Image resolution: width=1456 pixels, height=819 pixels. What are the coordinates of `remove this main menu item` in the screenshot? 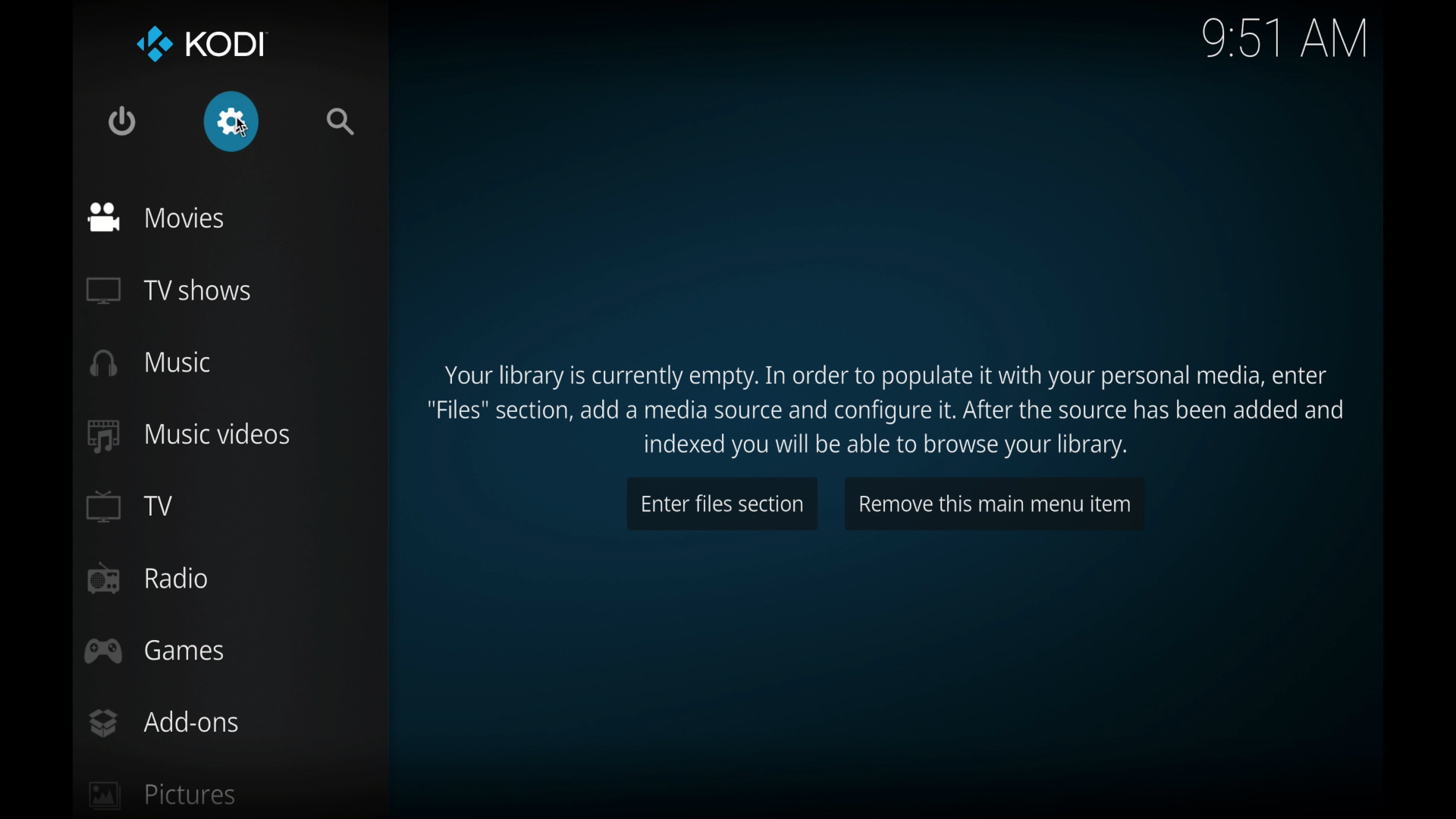 It's located at (996, 504).